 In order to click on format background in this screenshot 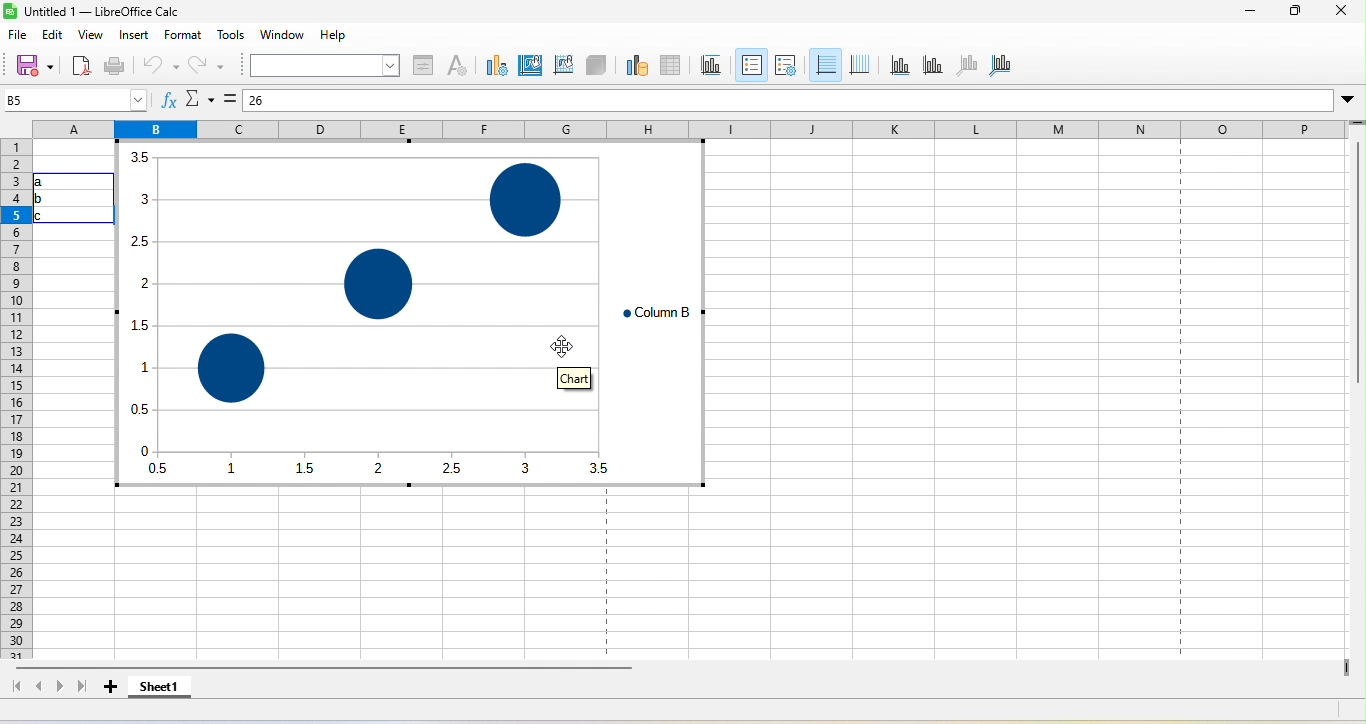, I will do `click(529, 68)`.